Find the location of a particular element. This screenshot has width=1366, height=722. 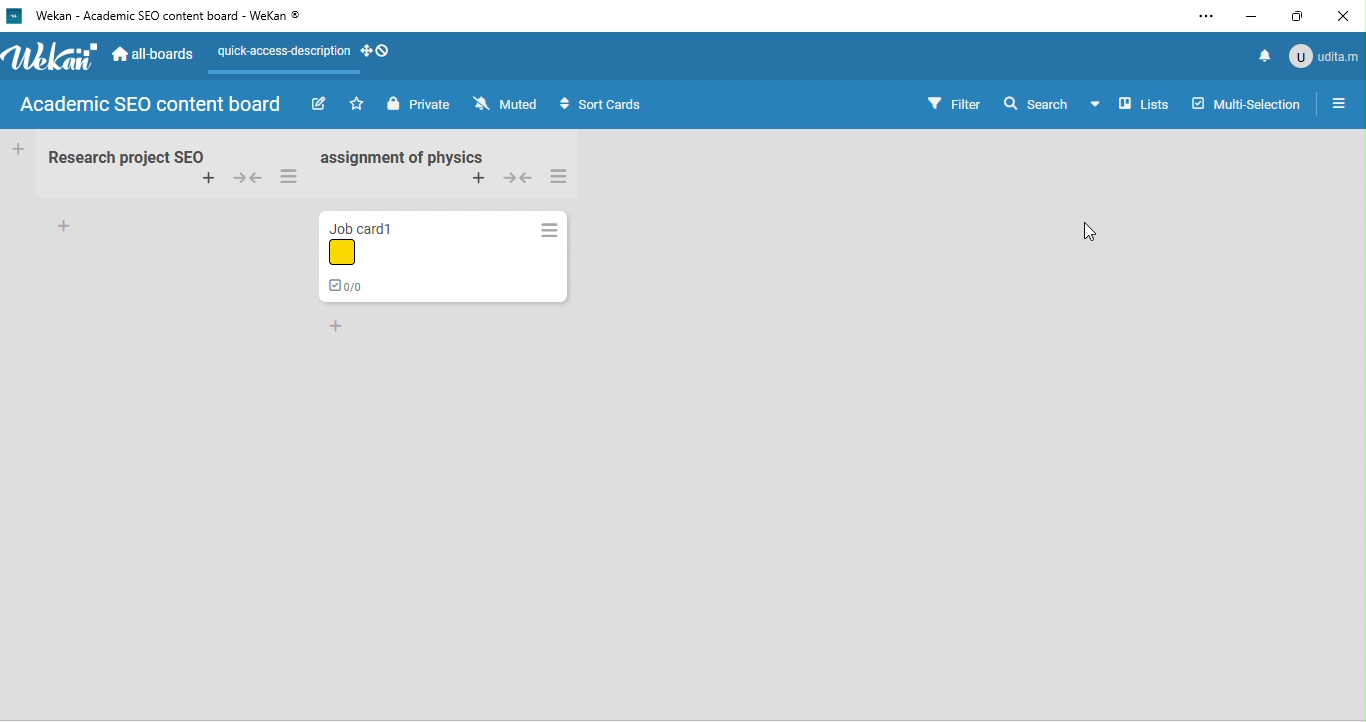

close is located at coordinates (1346, 15).